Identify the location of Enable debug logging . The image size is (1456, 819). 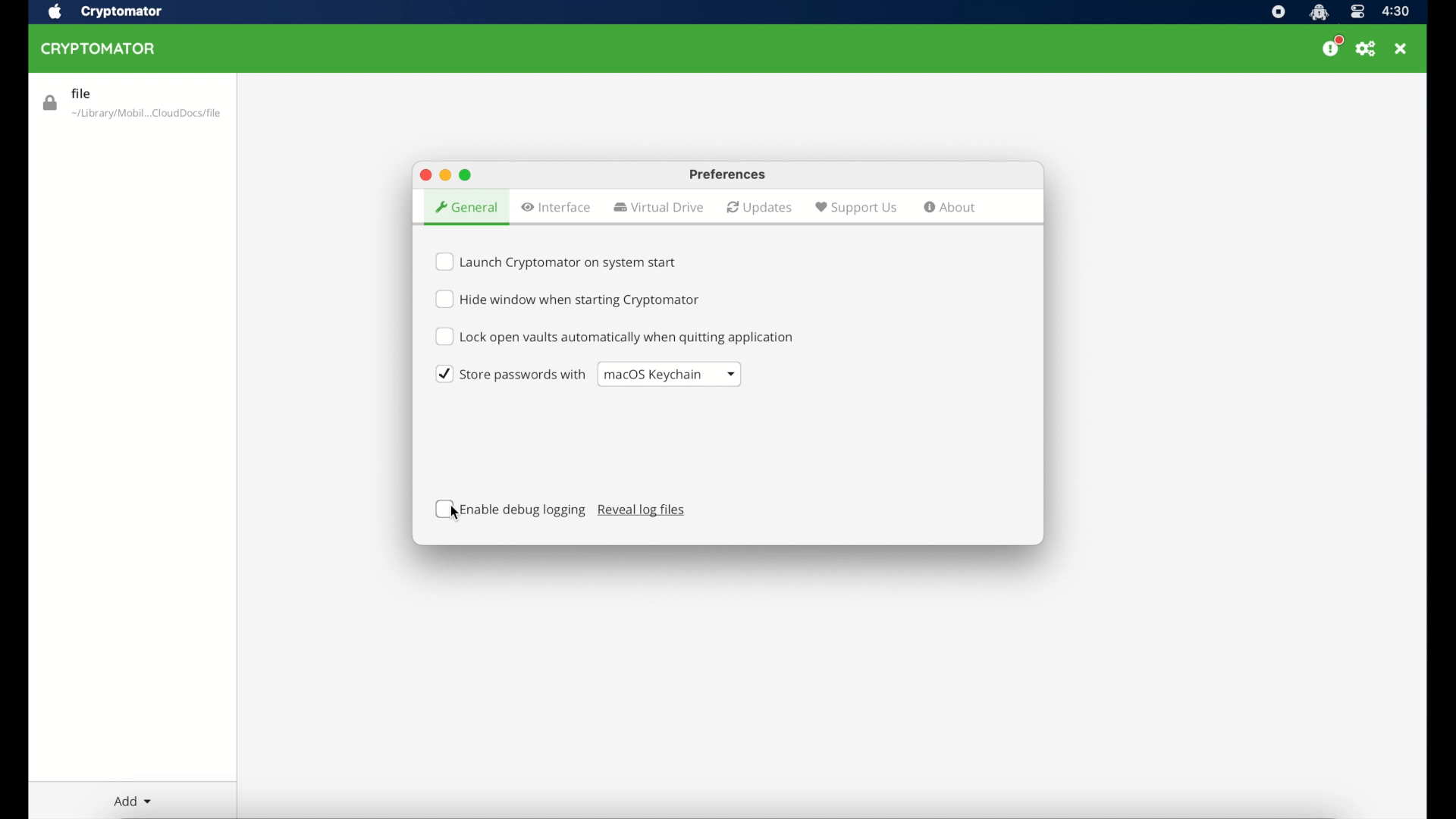
(510, 510).